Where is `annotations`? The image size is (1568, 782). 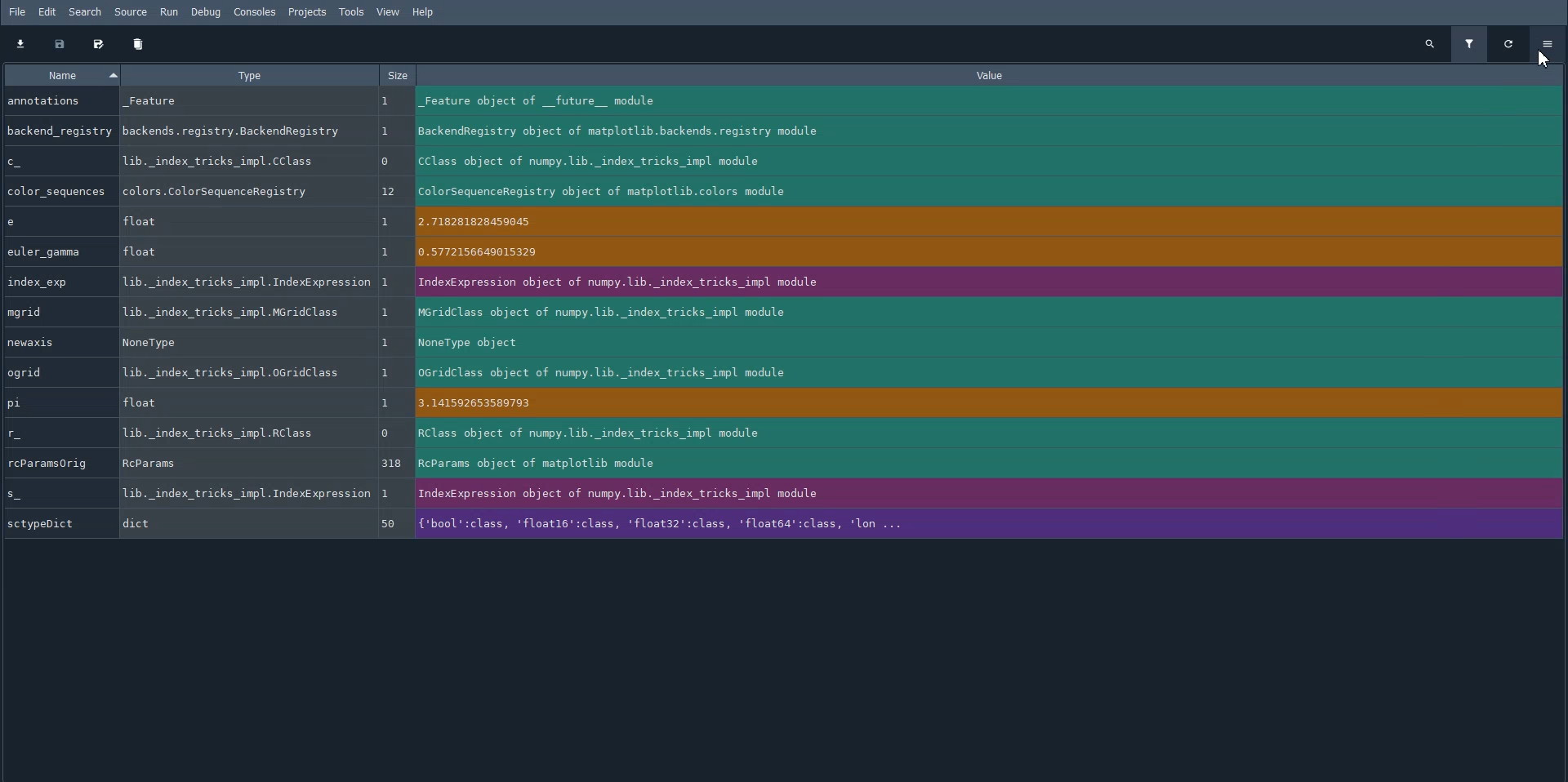 annotations is located at coordinates (56, 100).